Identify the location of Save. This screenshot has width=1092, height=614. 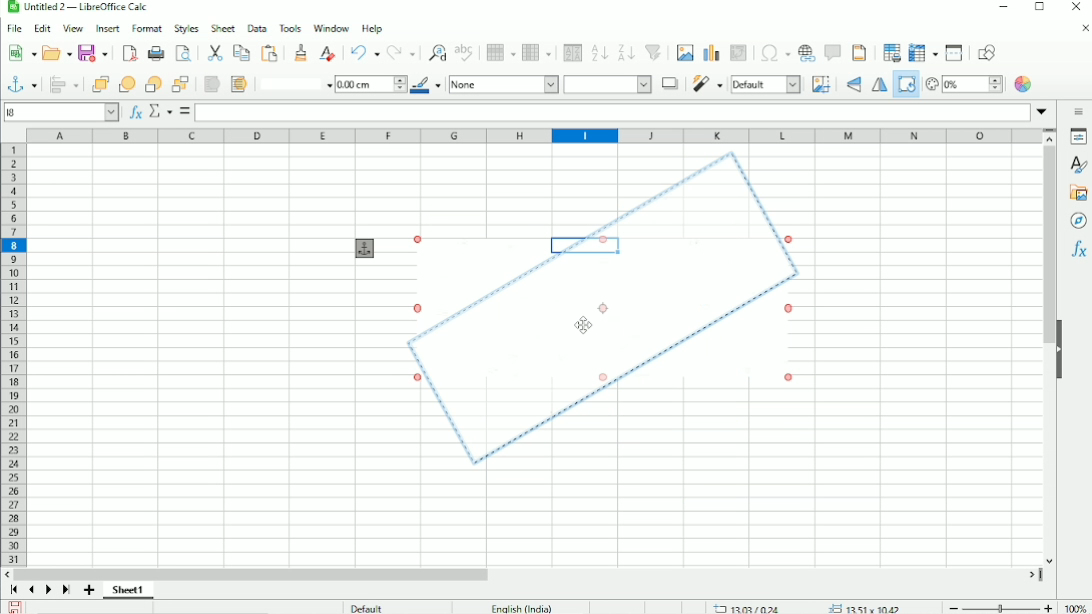
(15, 607).